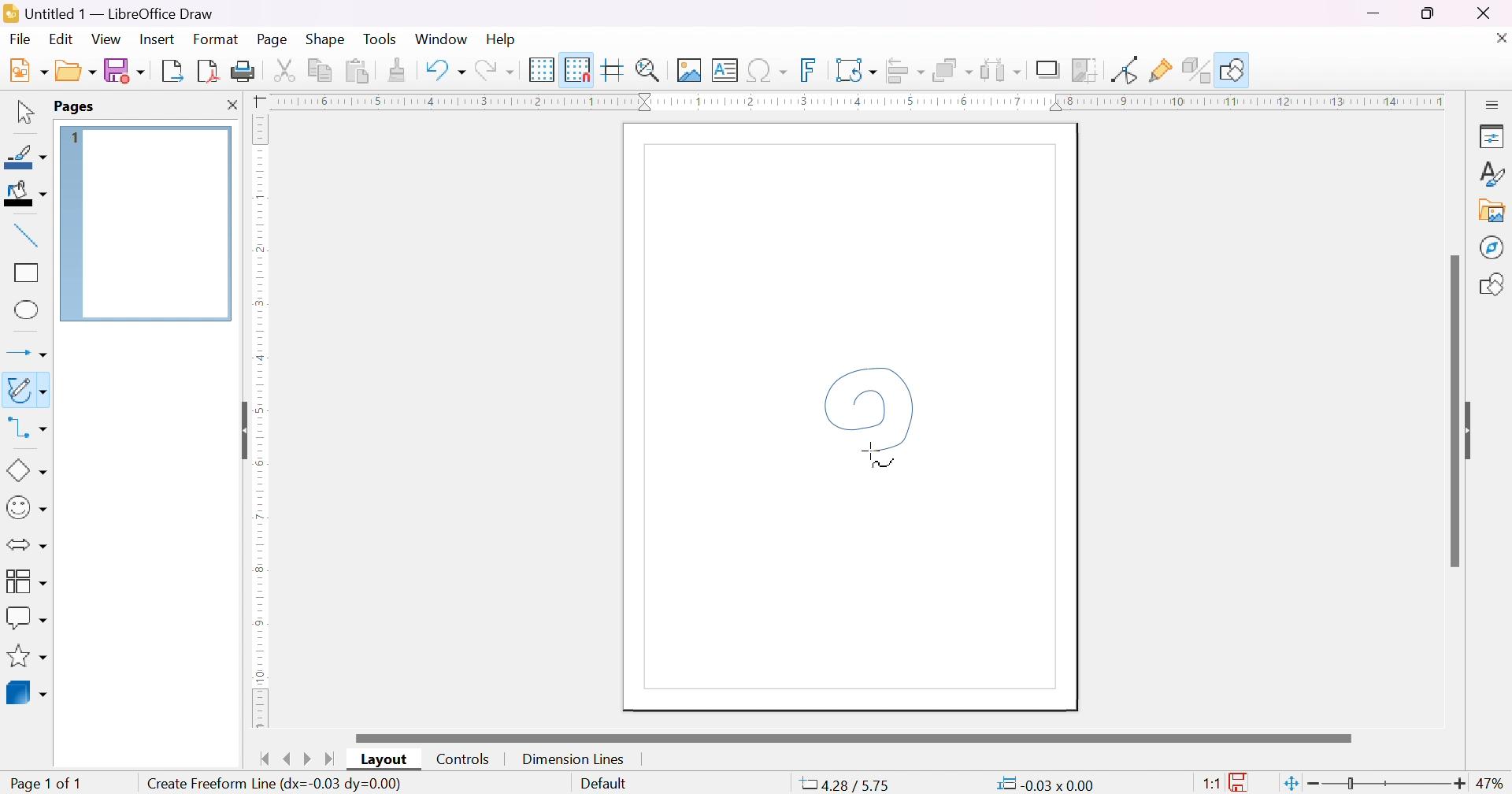 The height and width of the screenshot is (794, 1512). What do you see at coordinates (28, 392) in the screenshot?
I see `curves and polygons (double click for multi-selection)` at bounding box center [28, 392].